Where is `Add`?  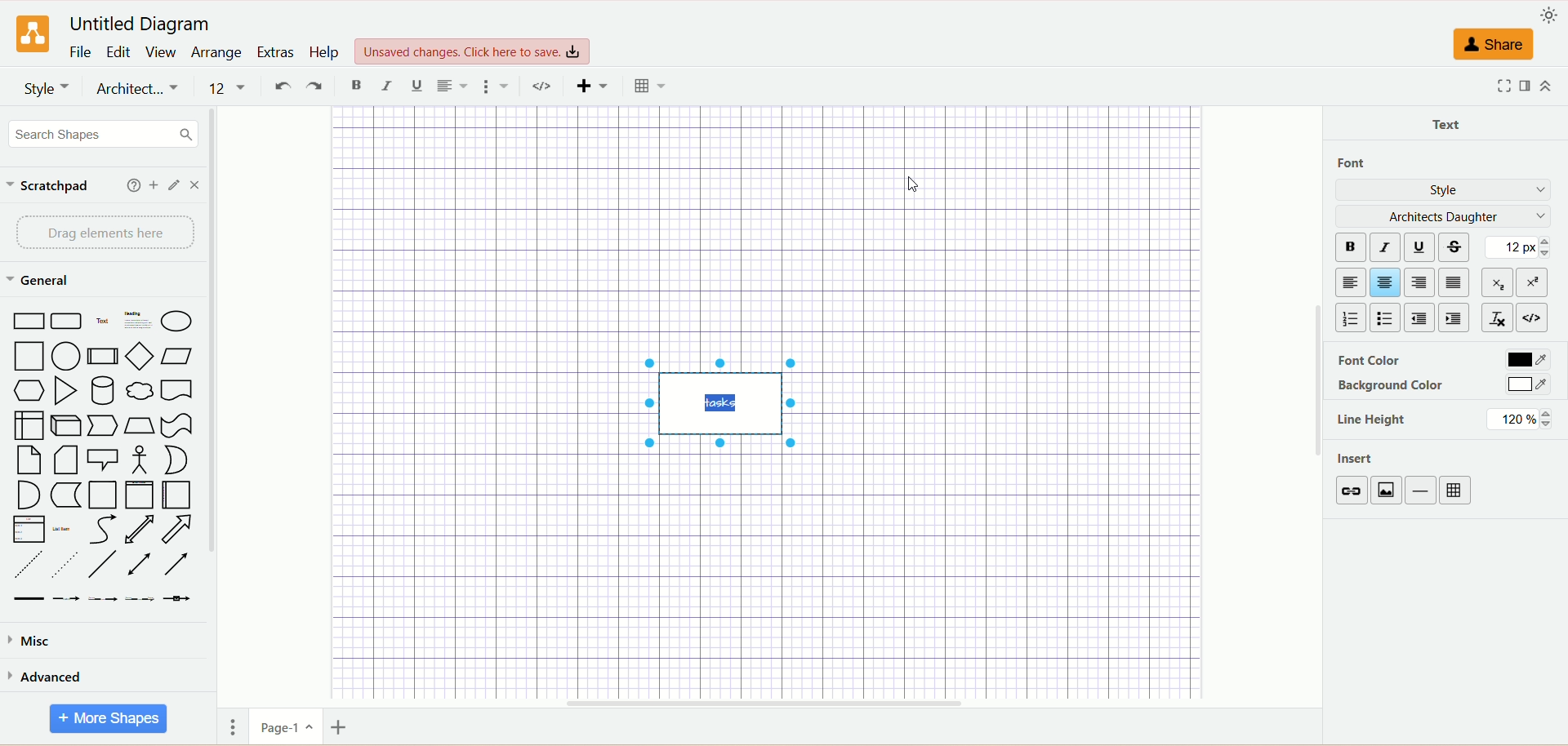 Add is located at coordinates (591, 88).